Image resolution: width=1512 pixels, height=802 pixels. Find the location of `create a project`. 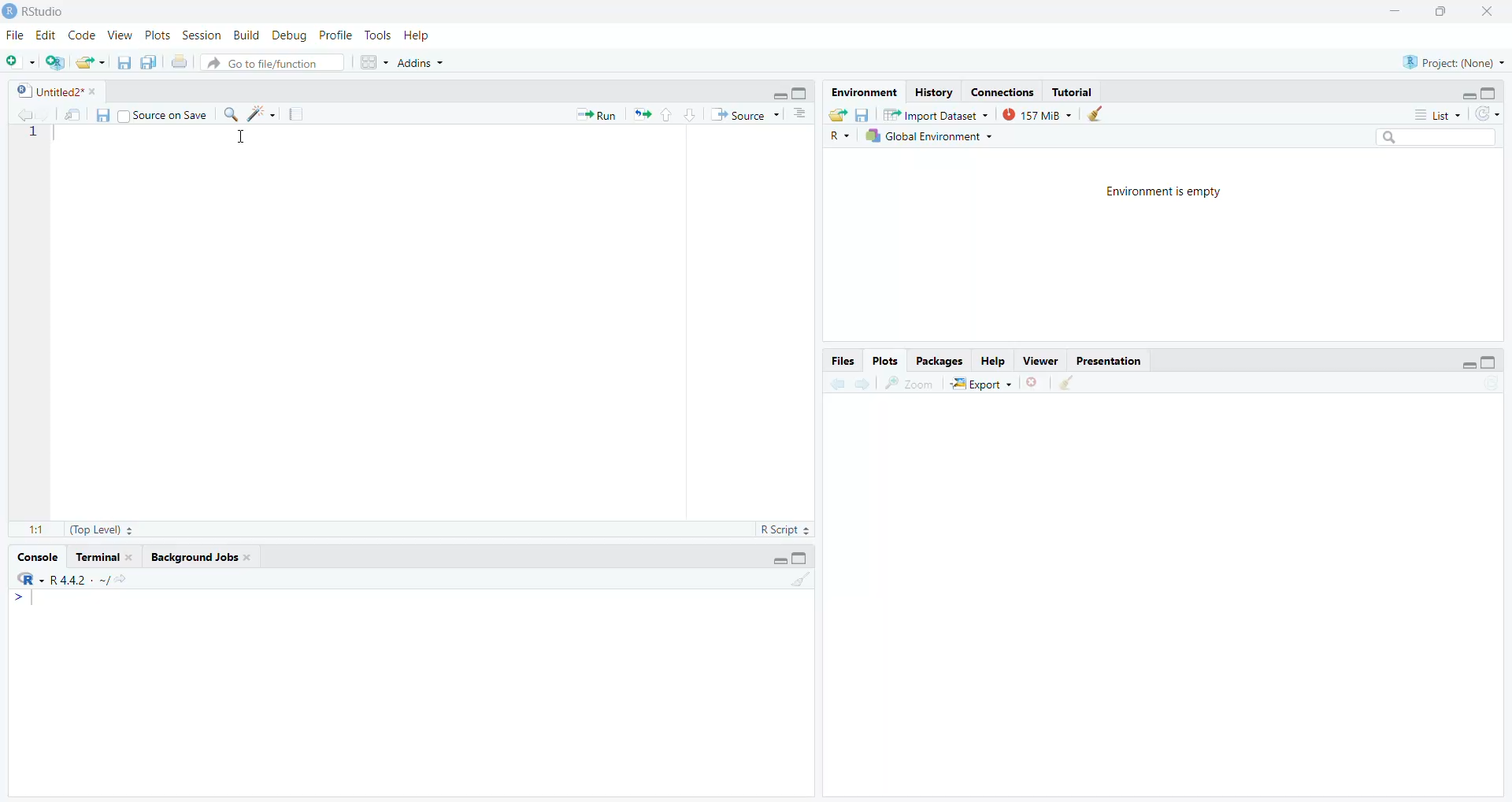

create a project is located at coordinates (54, 63).